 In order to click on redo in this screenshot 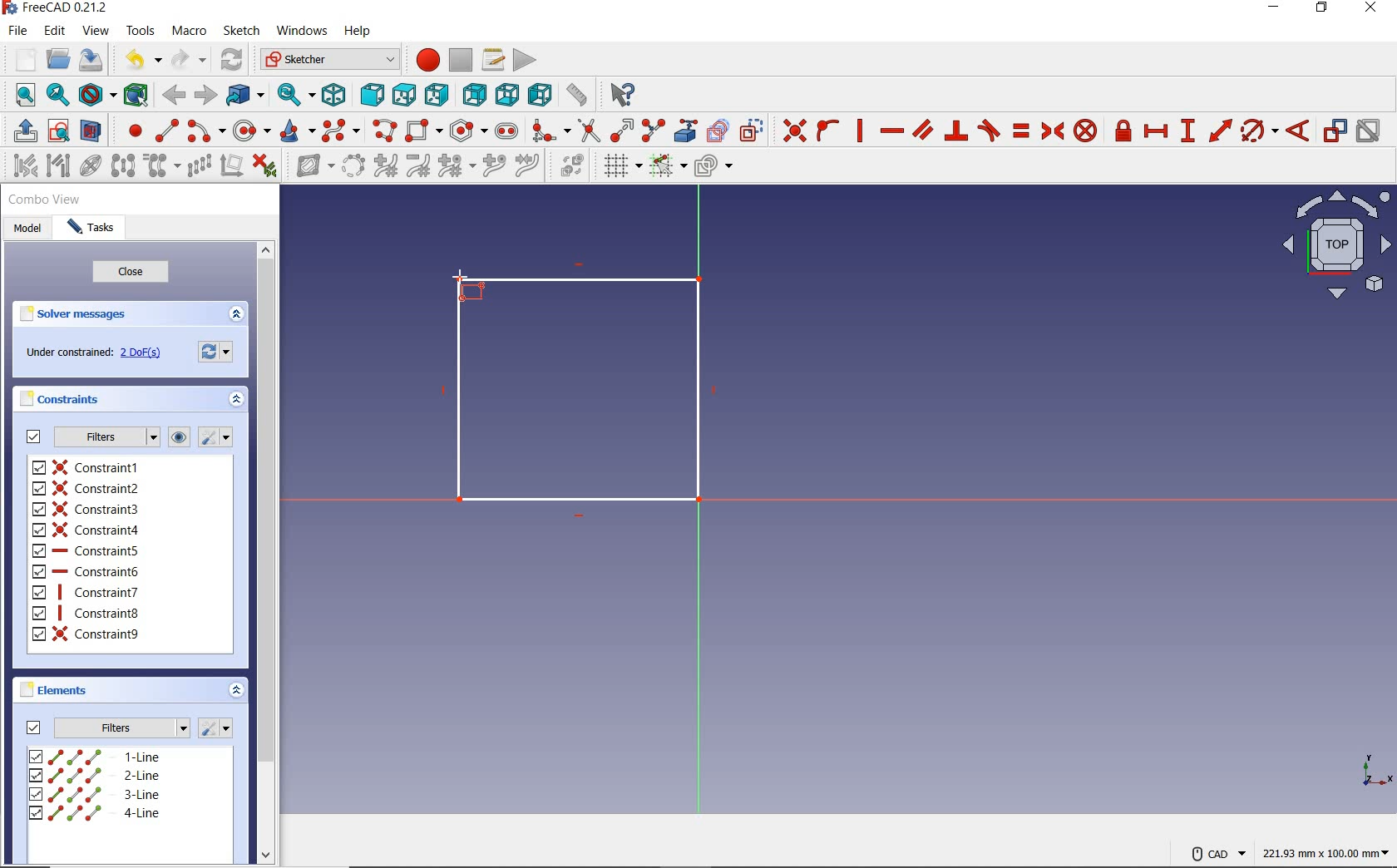, I will do `click(189, 60)`.